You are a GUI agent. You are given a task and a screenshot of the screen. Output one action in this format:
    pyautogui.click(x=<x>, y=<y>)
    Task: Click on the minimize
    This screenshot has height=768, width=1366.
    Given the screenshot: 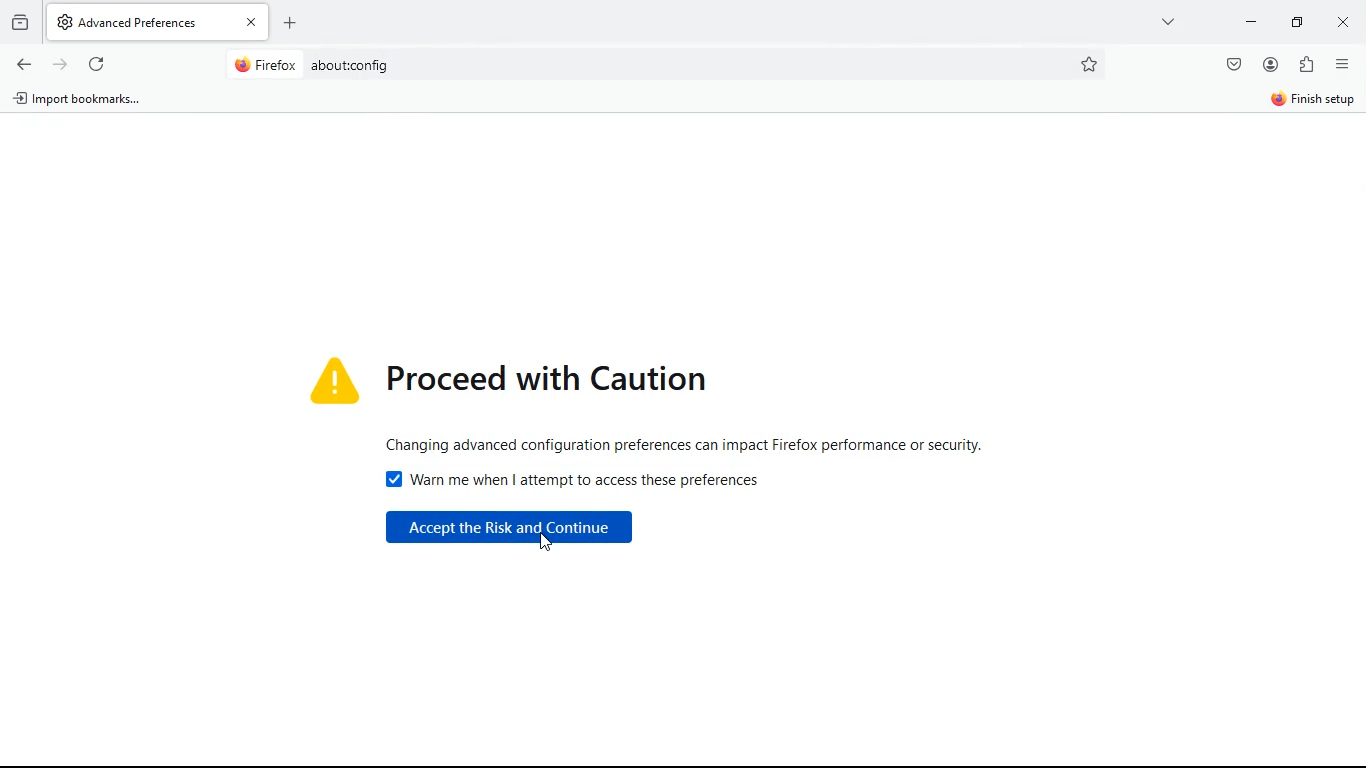 What is the action you would take?
    pyautogui.click(x=1248, y=23)
    